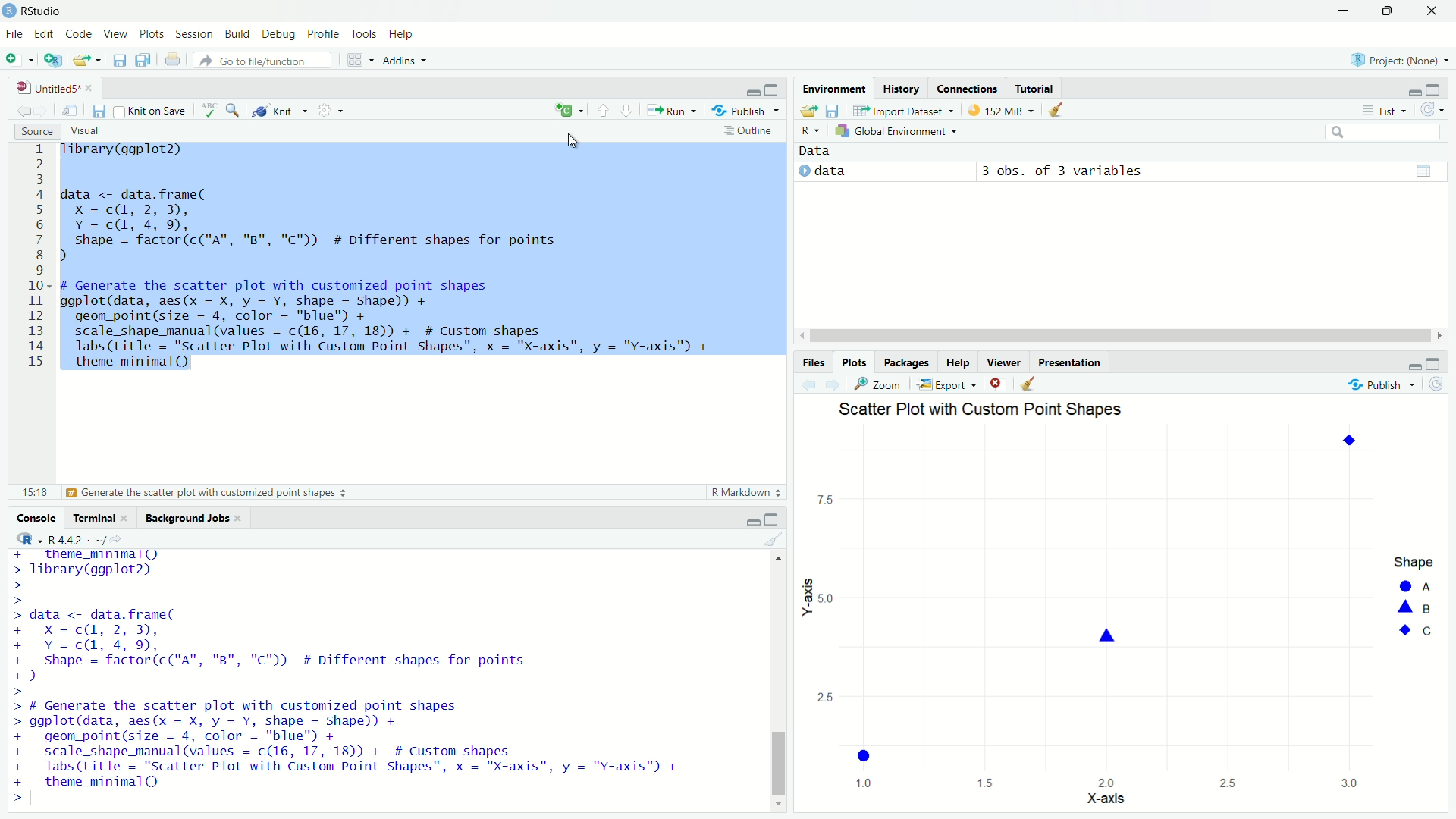 The width and height of the screenshot is (1456, 819). Describe the element at coordinates (184, 517) in the screenshot. I see `Background Jobs` at that location.